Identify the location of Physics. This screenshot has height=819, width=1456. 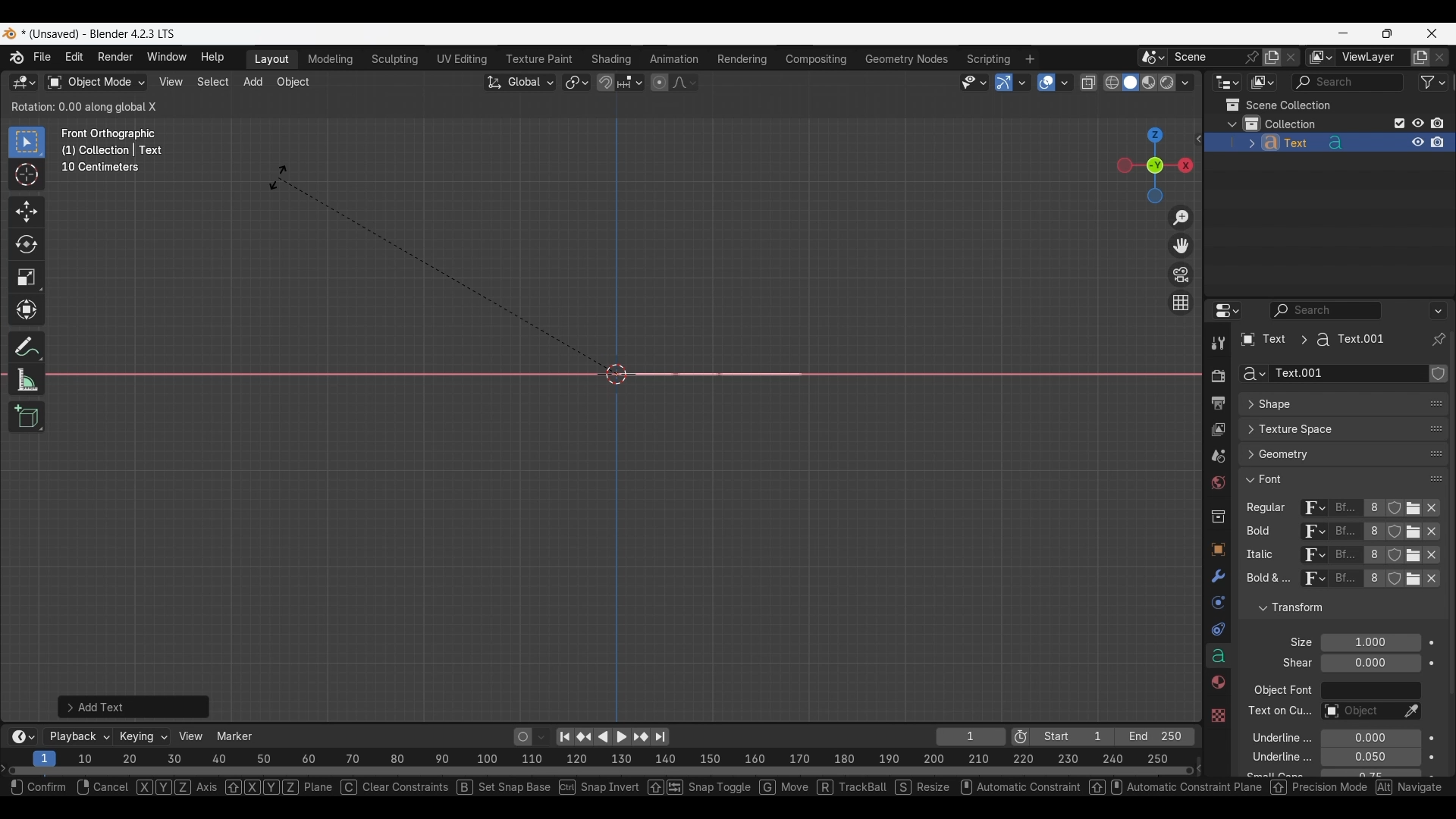
(1217, 603).